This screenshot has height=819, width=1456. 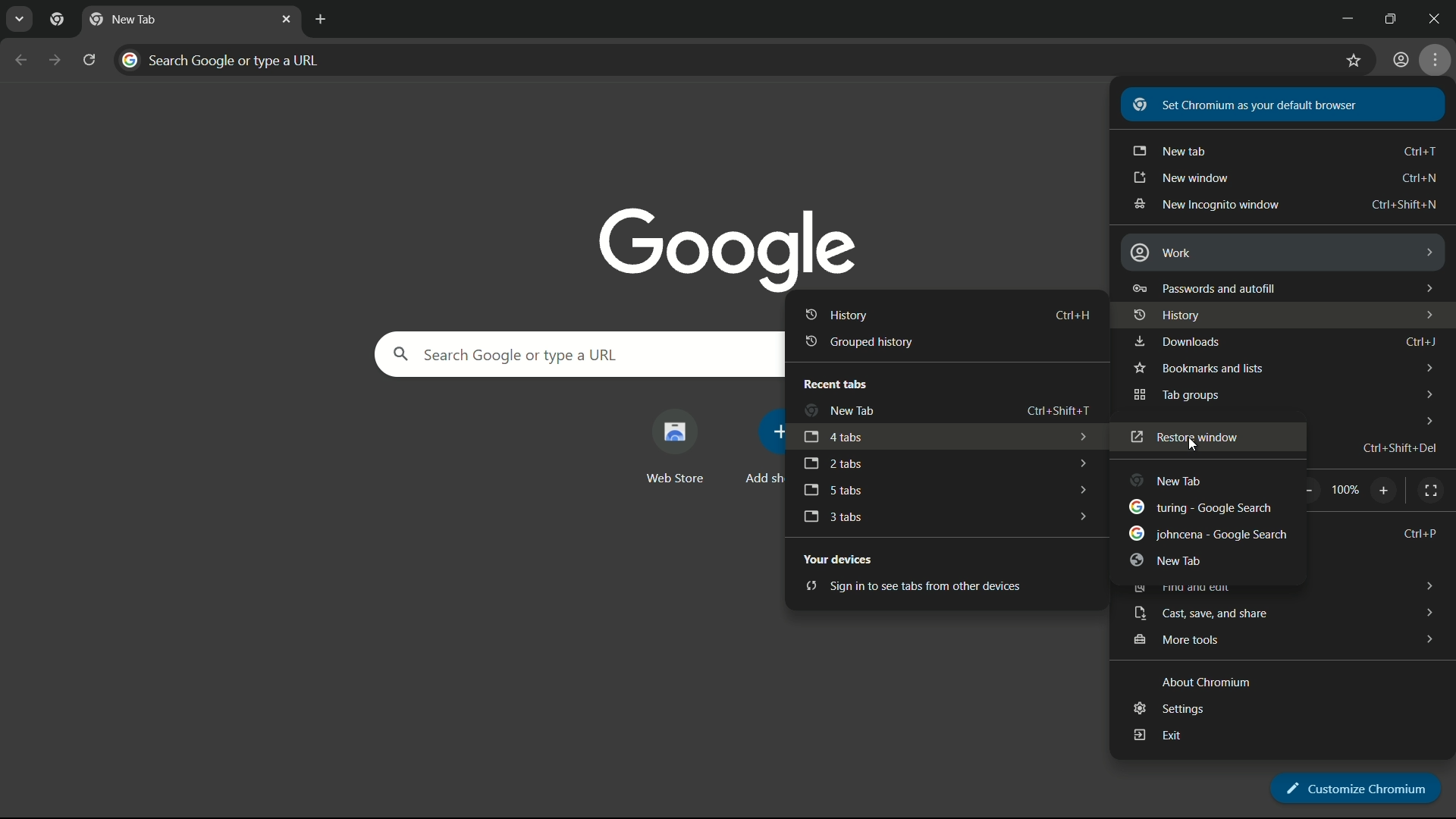 What do you see at coordinates (842, 559) in the screenshot?
I see `your devices` at bounding box center [842, 559].